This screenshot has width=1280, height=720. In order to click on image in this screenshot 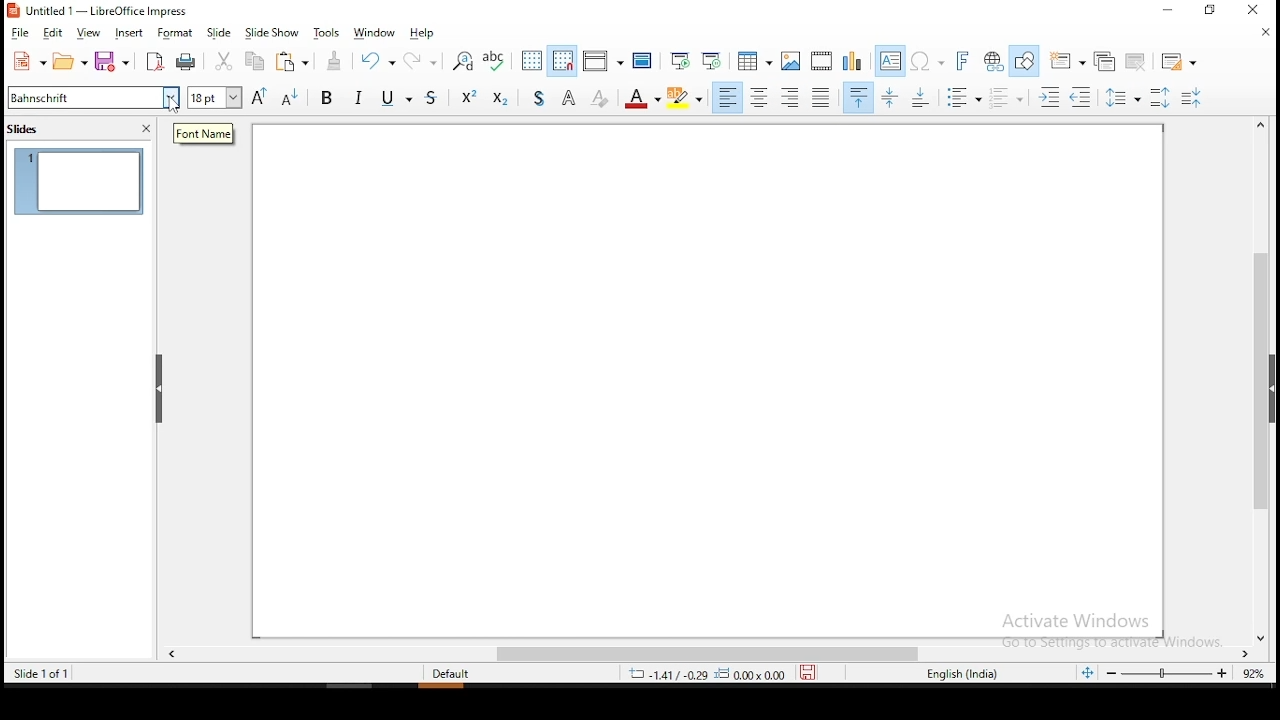, I will do `click(790, 60)`.